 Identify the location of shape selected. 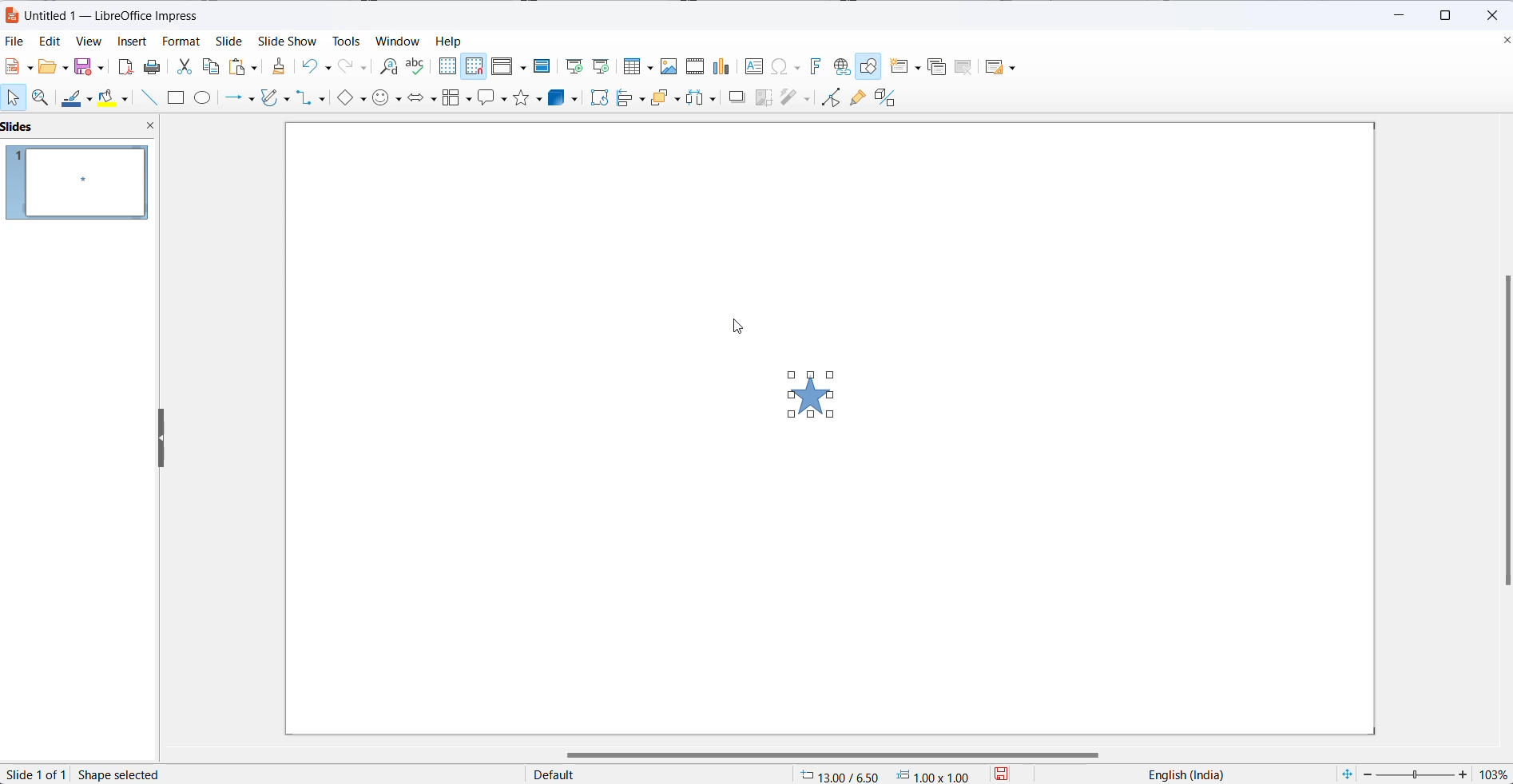
(137, 765).